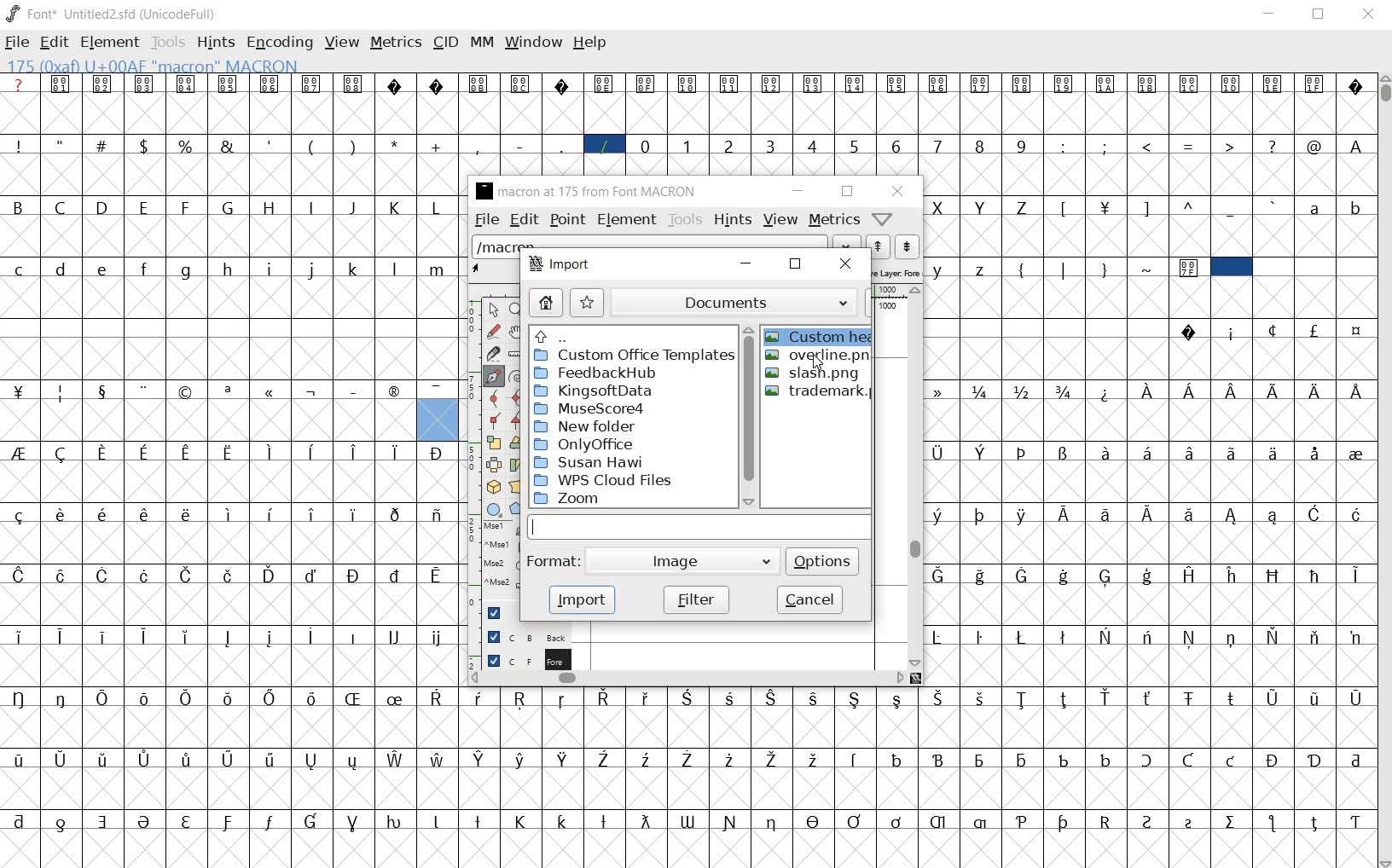 This screenshot has width=1392, height=868. I want to click on Symbol, so click(270, 83).